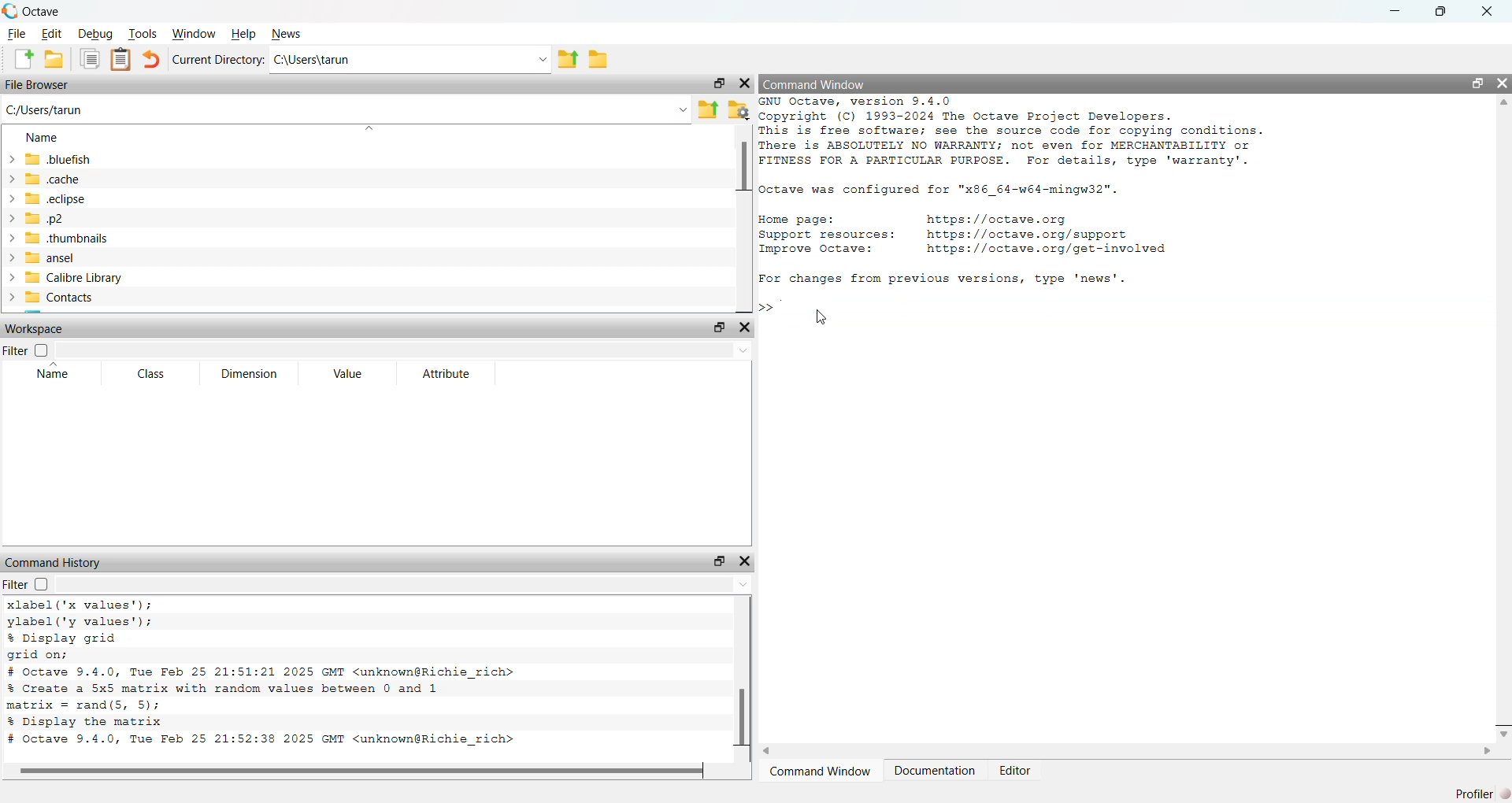 The image size is (1512, 803). I want to click on maximise, so click(716, 84).